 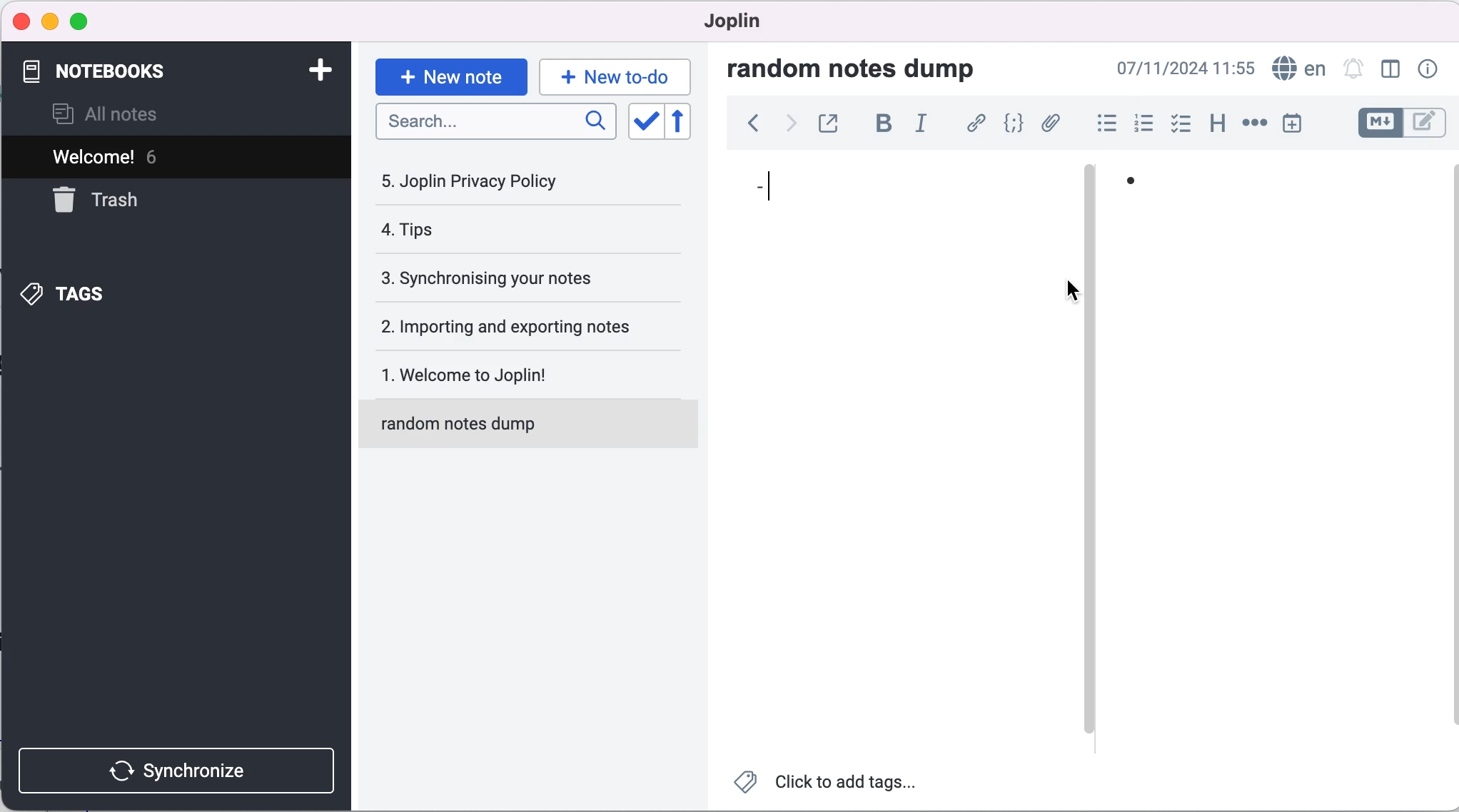 I want to click on attach file, so click(x=1049, y=125).